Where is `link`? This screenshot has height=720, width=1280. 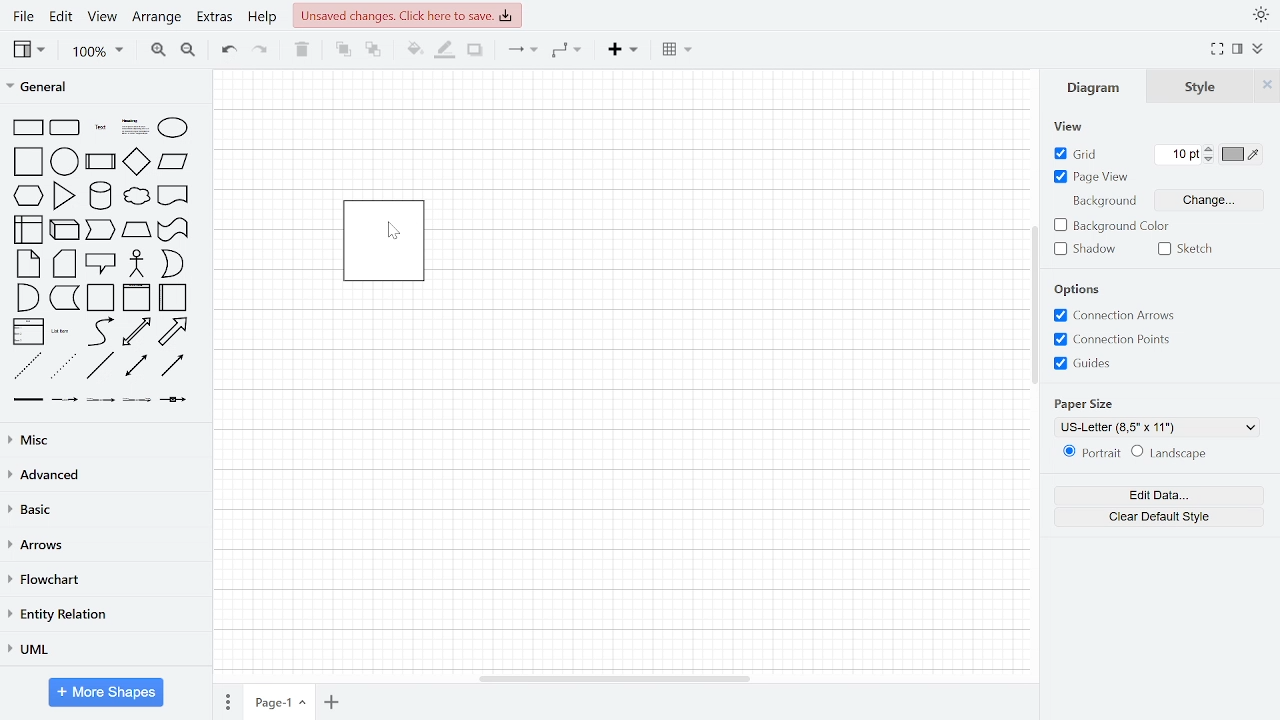 link is located at coordinates (26, 400).